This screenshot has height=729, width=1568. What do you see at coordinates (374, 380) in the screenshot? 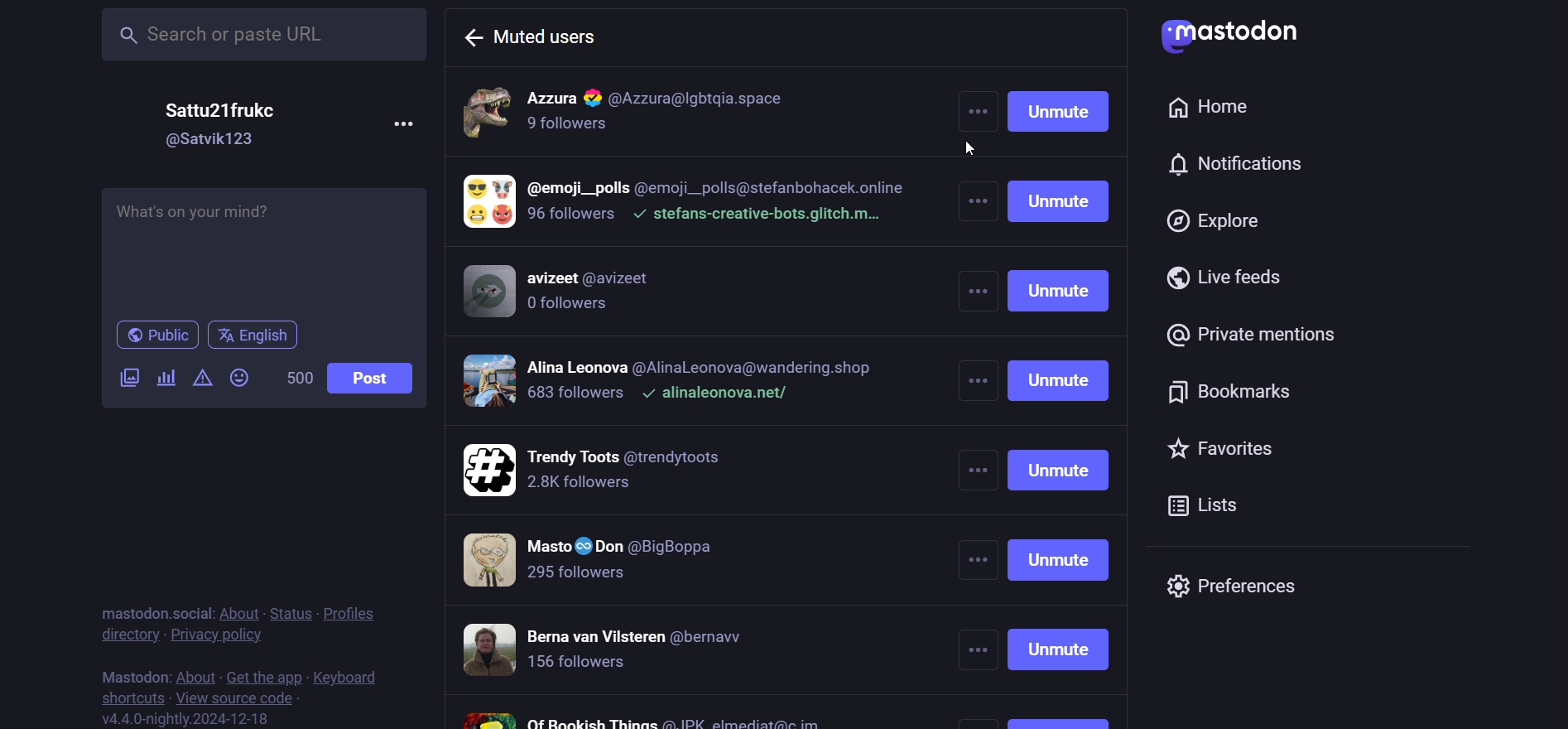
I see `post` at bounding box center [374, 380].